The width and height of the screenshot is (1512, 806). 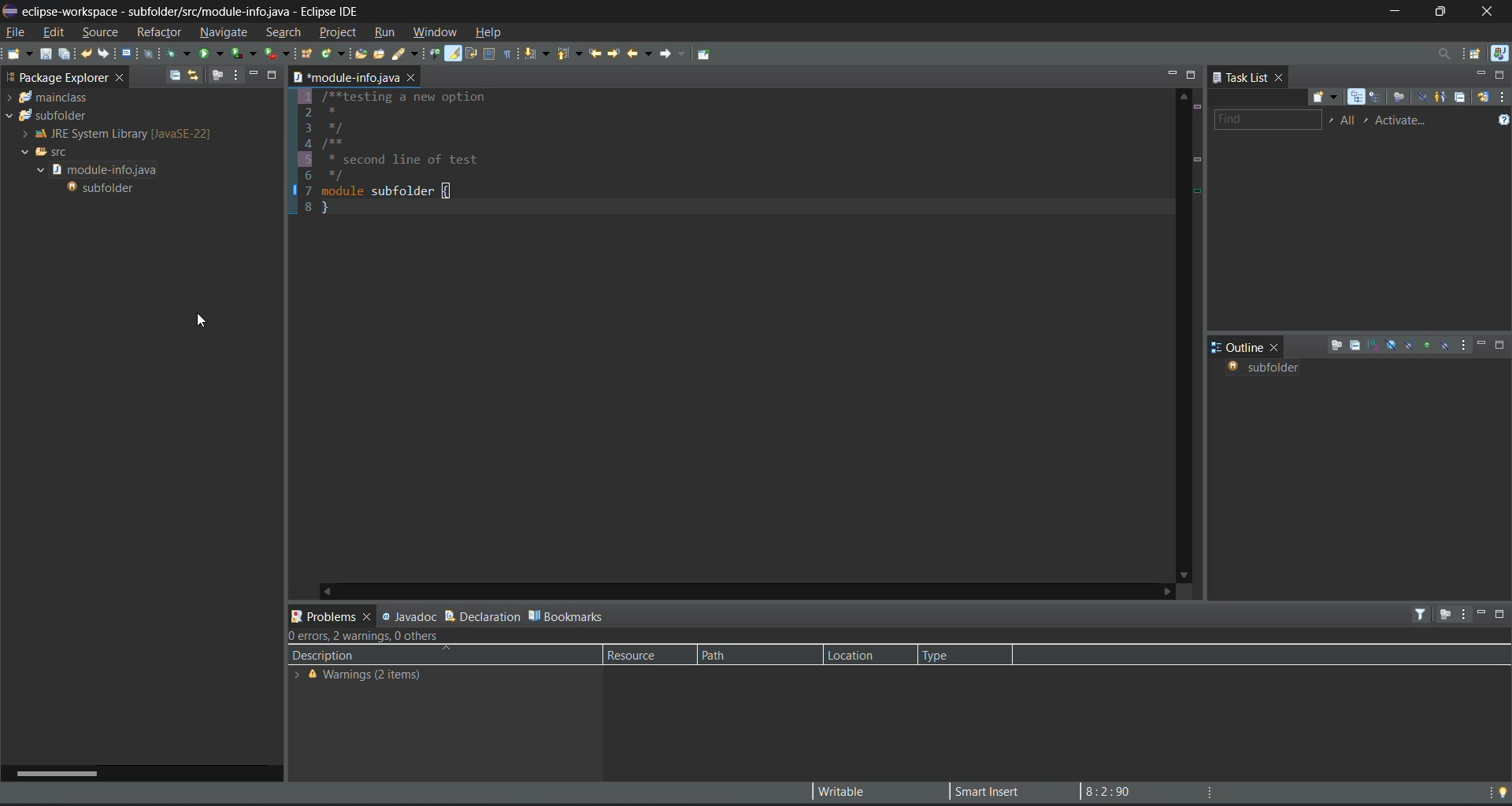 I want to click on minimize, so click(x=1480, y=612).